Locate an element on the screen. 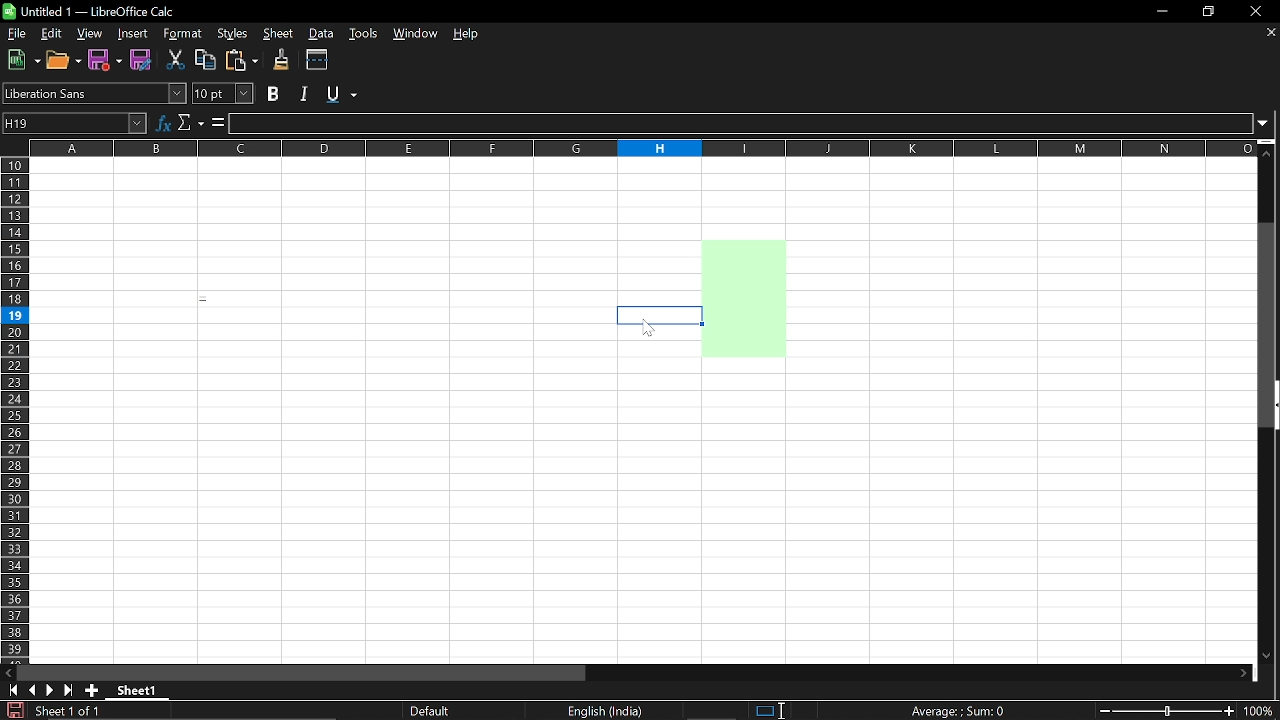  Rows is located at coordinates (14, 409).